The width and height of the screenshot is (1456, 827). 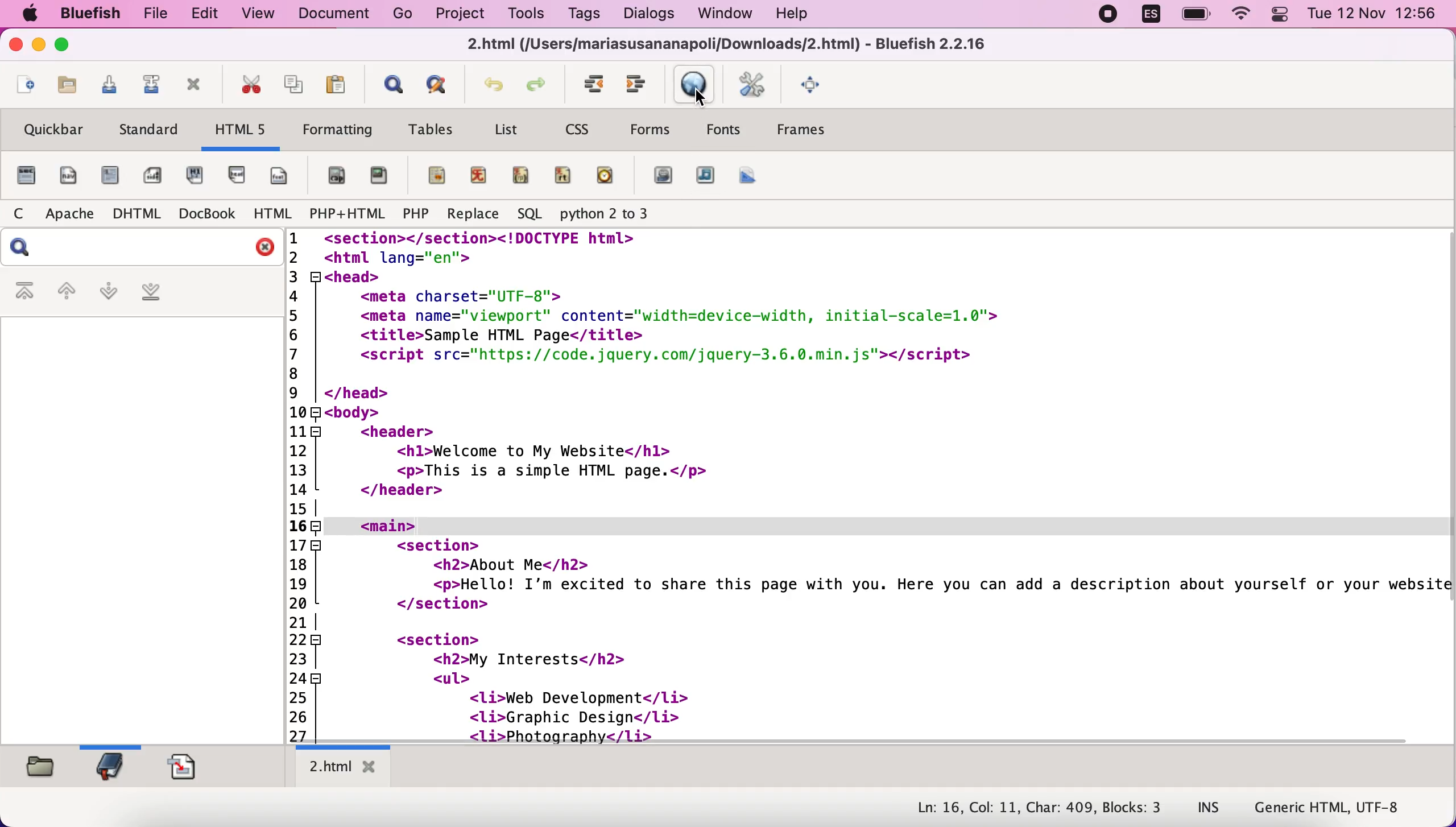 What do you see at coordinates (111, 177) in the screenshot?
I see `strong` at bounding box center [111, 177].